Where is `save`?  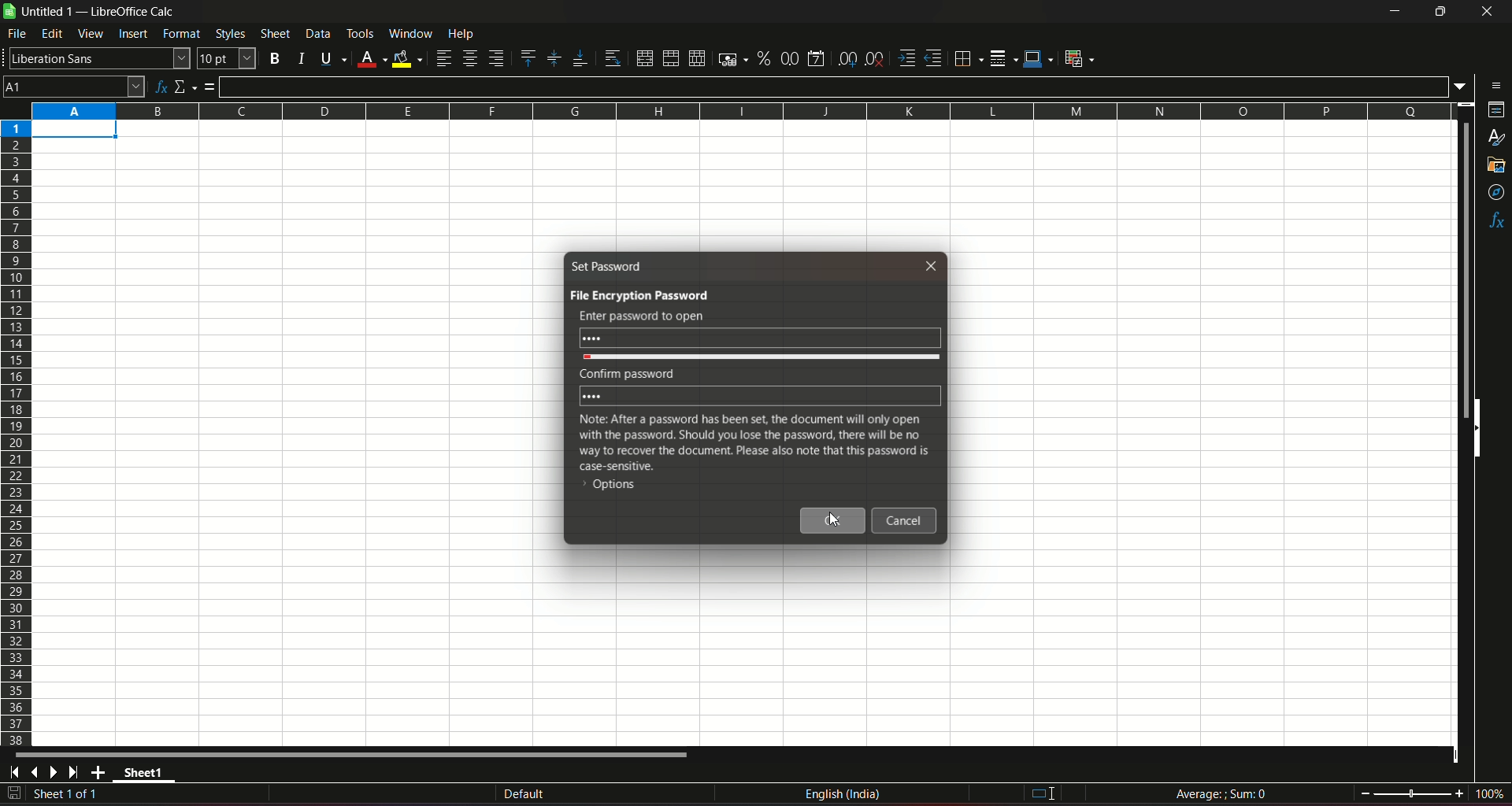 save is located at coordinates (14, 793).